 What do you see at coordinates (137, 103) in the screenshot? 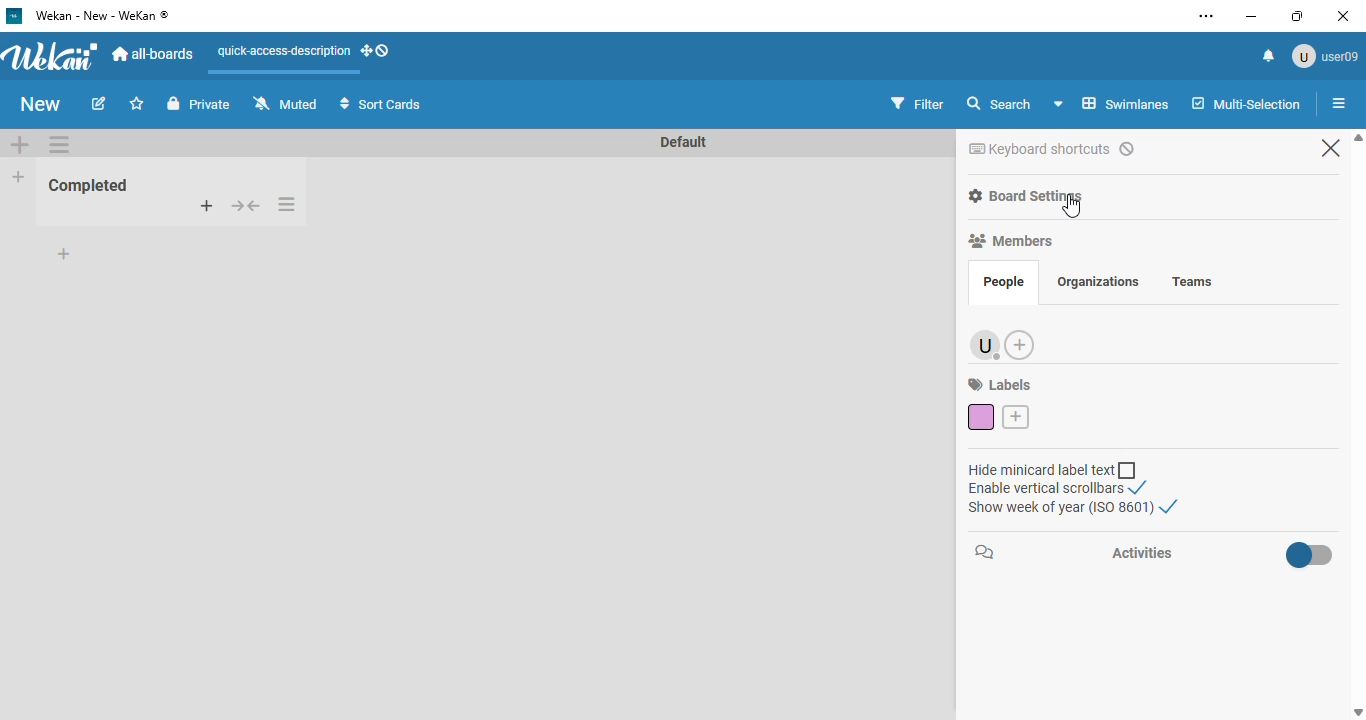
I see `Add to favorite` at bounding box center [137, 103].